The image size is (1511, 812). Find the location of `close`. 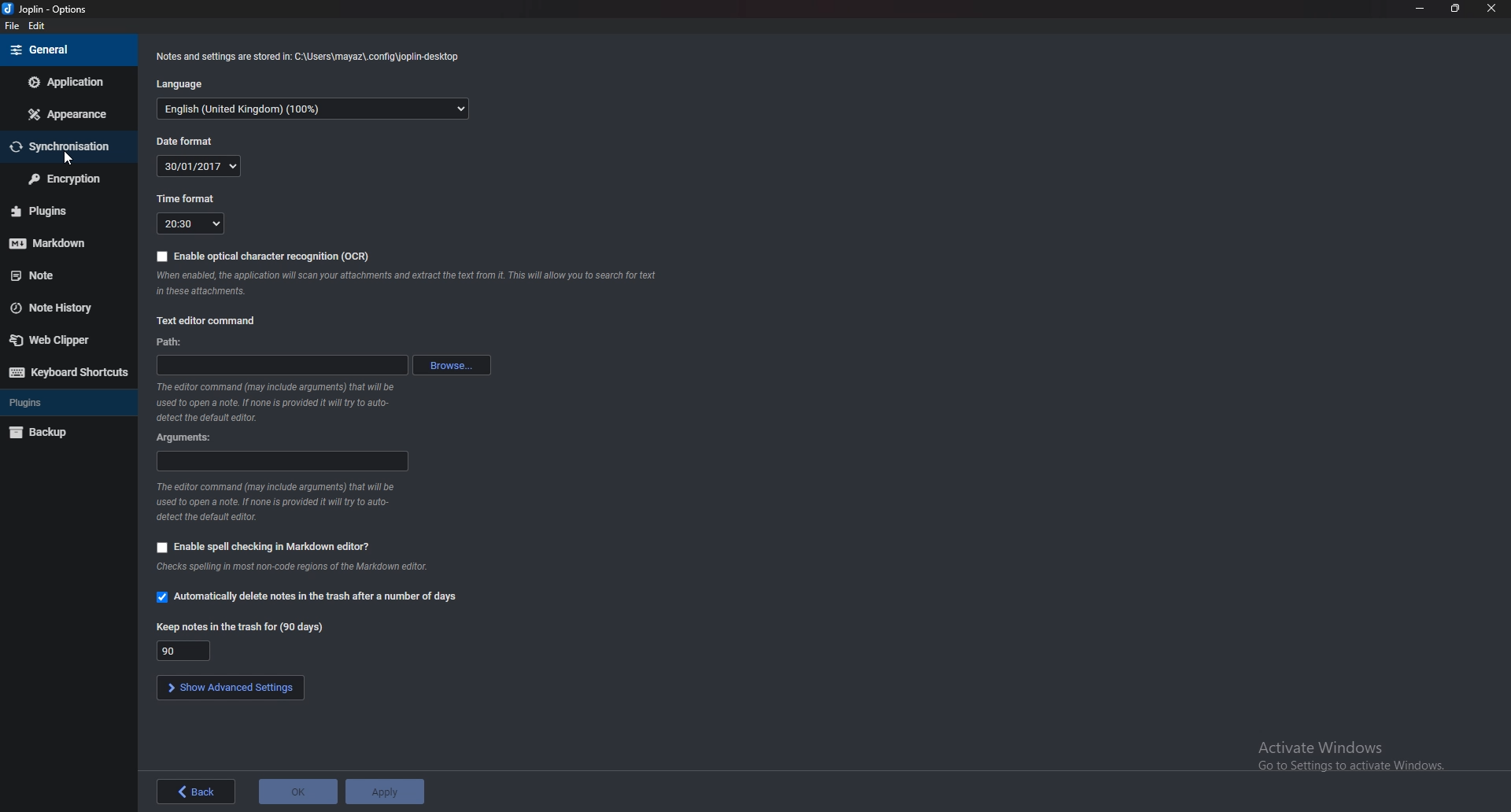

close is located at coordinates (1490, 8).